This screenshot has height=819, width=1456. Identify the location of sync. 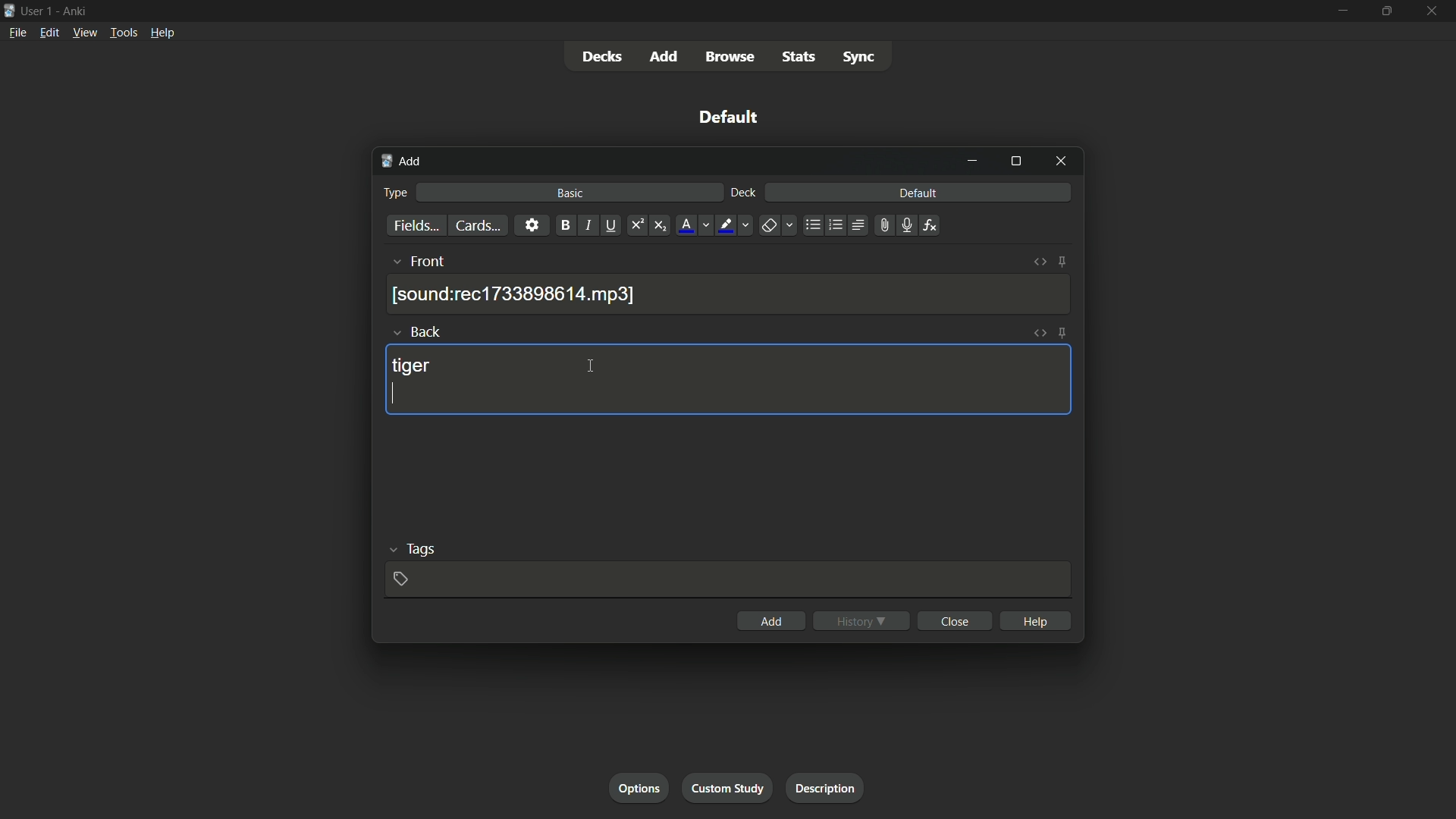
(858, 59).